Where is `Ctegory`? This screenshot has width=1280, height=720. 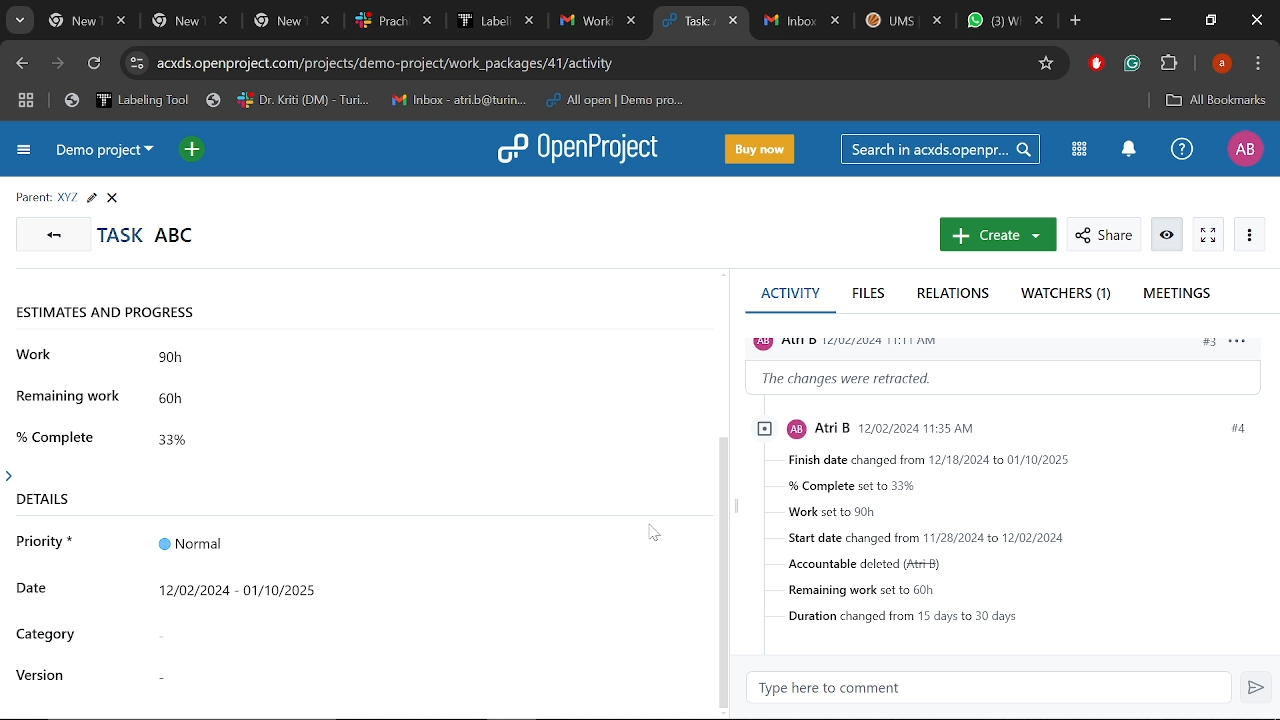
Ctegory is located at coordinates (416, 634).